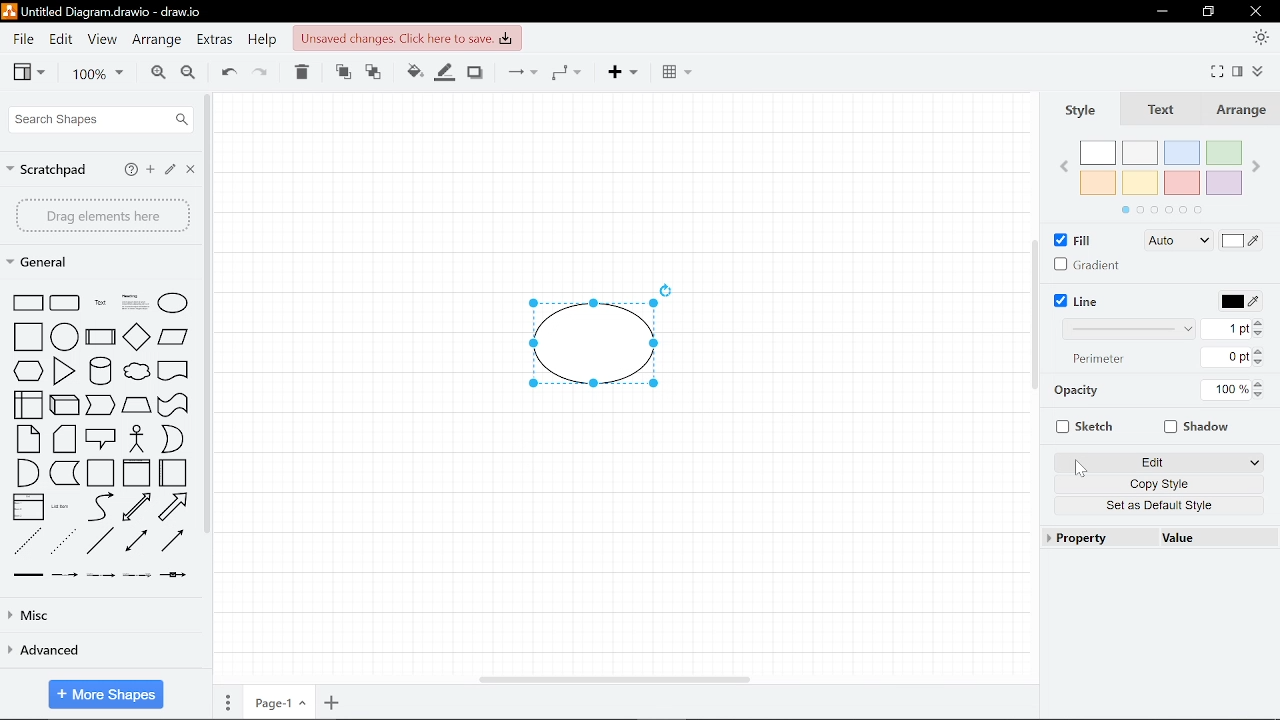  Describe the element at coordinates (624, 73) in the screenshot. I see `Add` at that location.